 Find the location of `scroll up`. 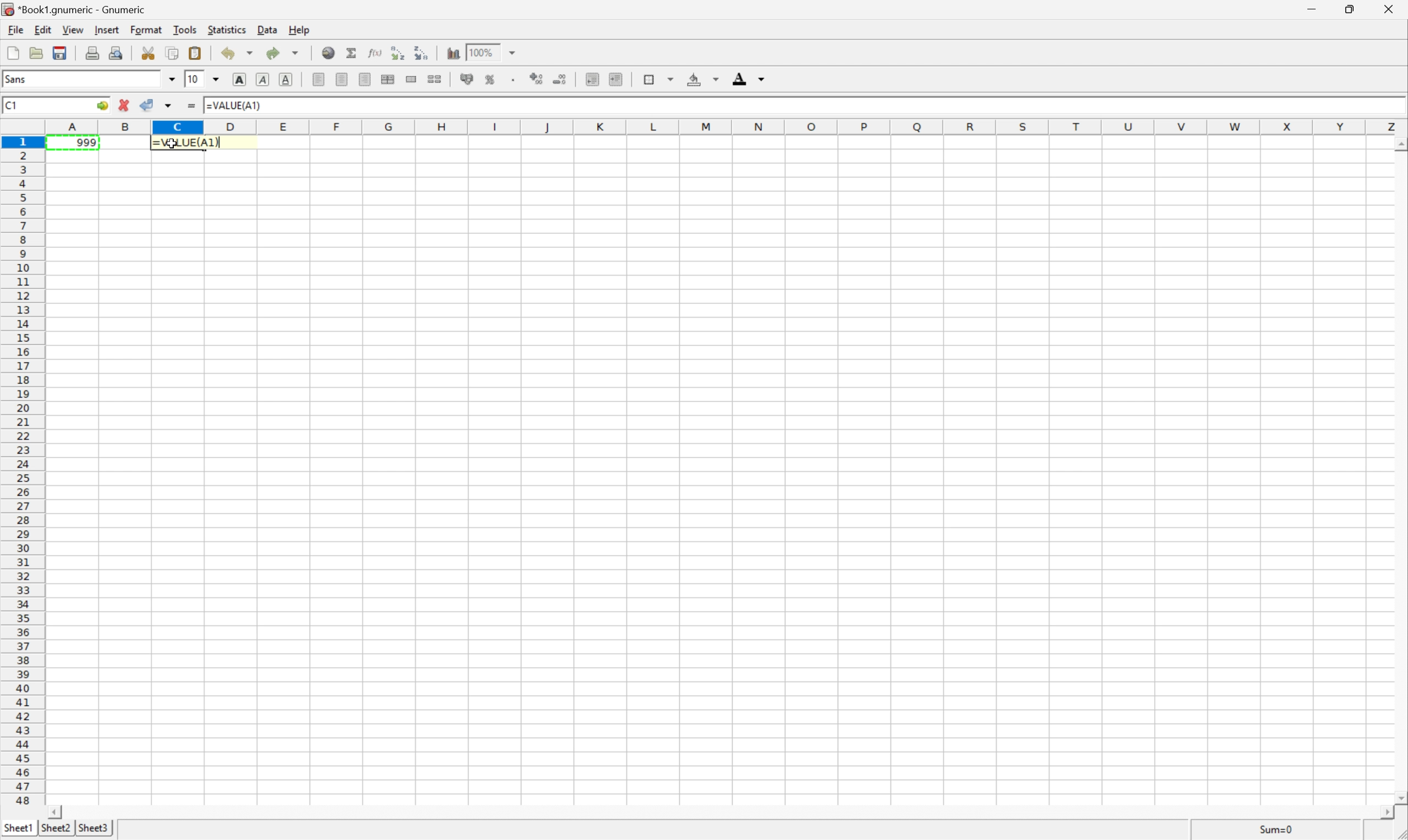

scroll up is located at coordinates (1399, 144).